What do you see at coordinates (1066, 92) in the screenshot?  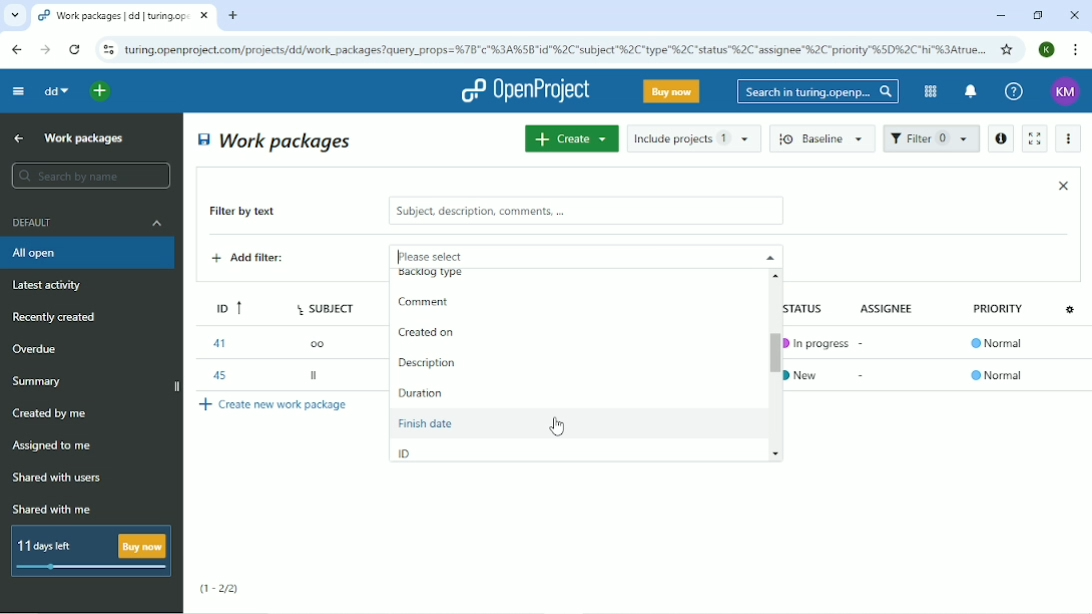 I see `Account` at bounding box center [1066, 92].